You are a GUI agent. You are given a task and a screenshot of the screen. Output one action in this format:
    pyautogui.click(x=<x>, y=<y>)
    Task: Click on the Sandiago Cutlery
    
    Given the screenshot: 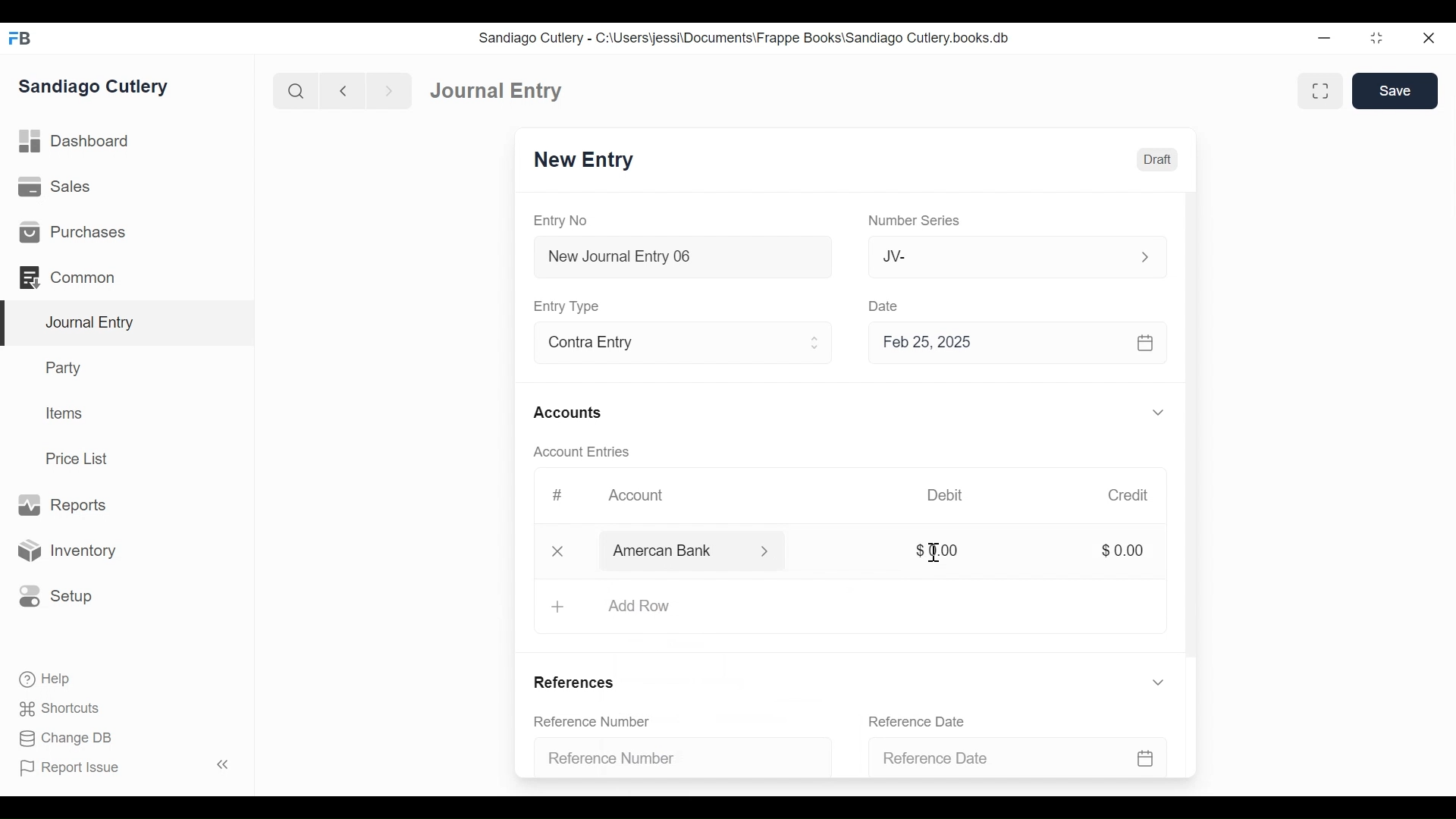 What is the action you would take?
    pyautogui.click(x=96, y=87)
    